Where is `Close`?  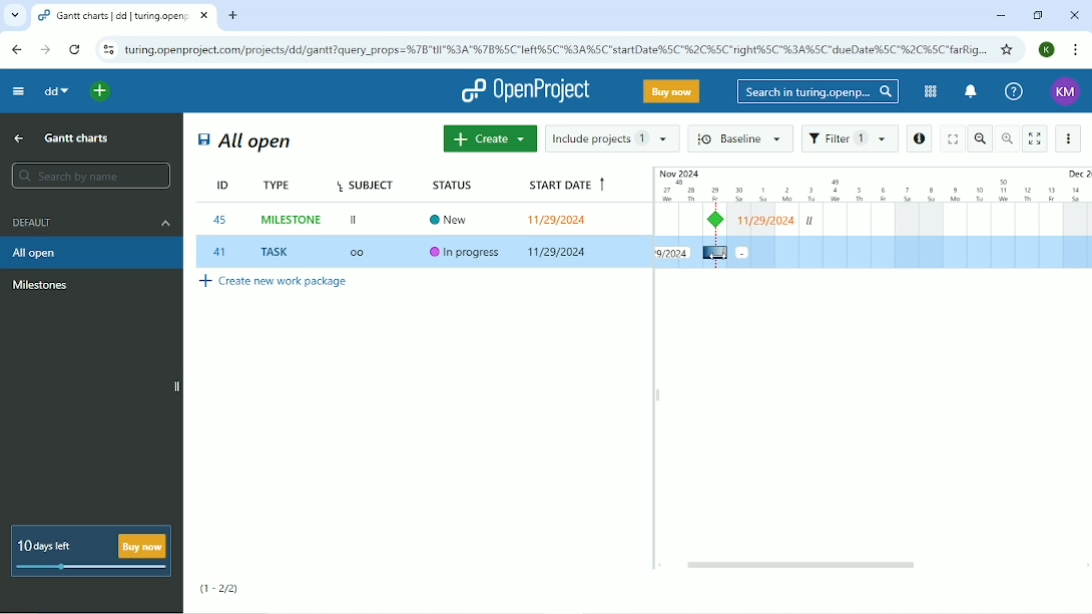 Close is located at coordinates (1074, 16).